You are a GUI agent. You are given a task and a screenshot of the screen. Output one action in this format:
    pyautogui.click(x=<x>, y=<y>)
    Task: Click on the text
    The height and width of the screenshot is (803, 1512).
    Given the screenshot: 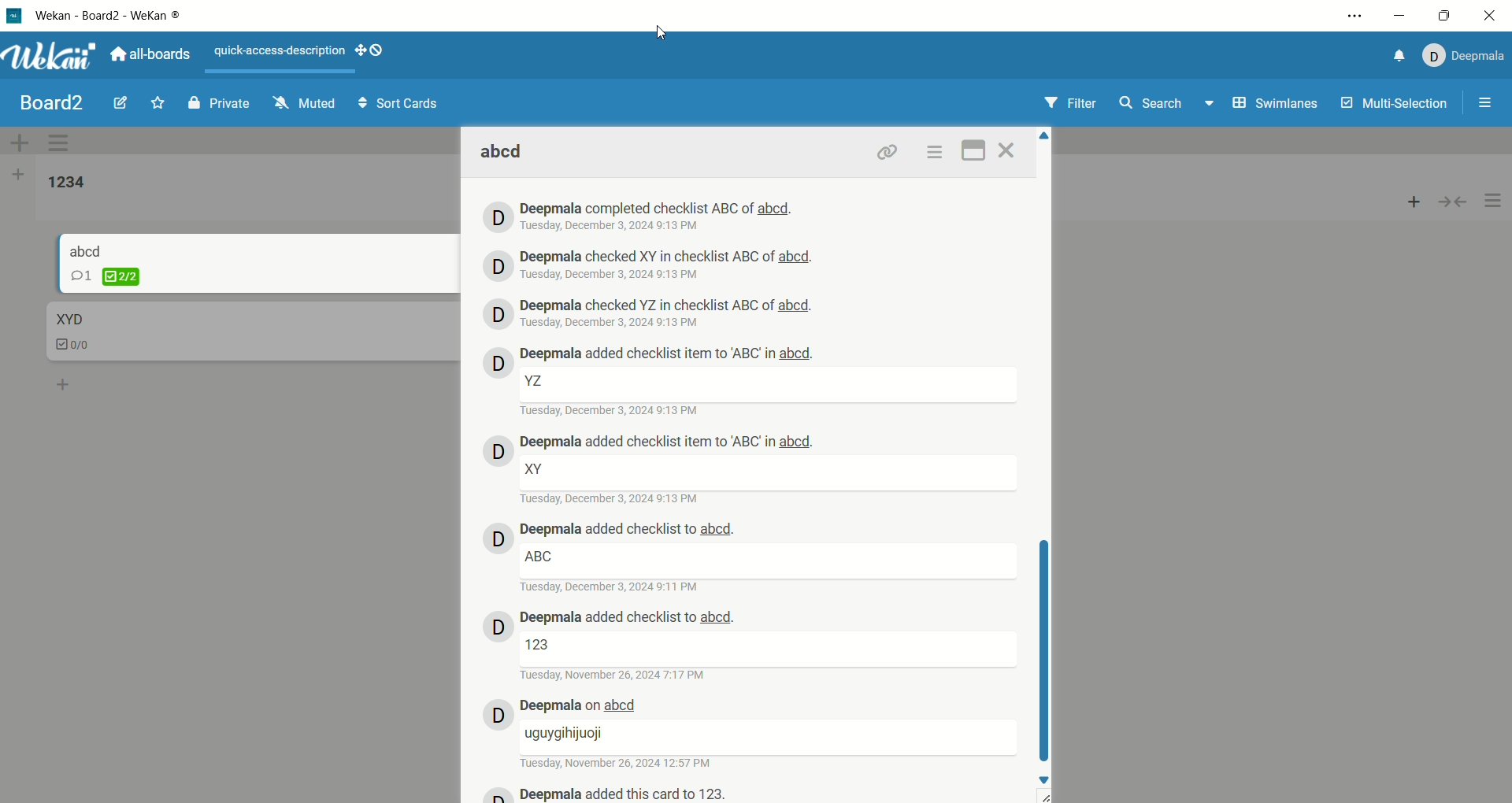 What is the action you would take?
    pyautogui.click(x=539, y=557)
    